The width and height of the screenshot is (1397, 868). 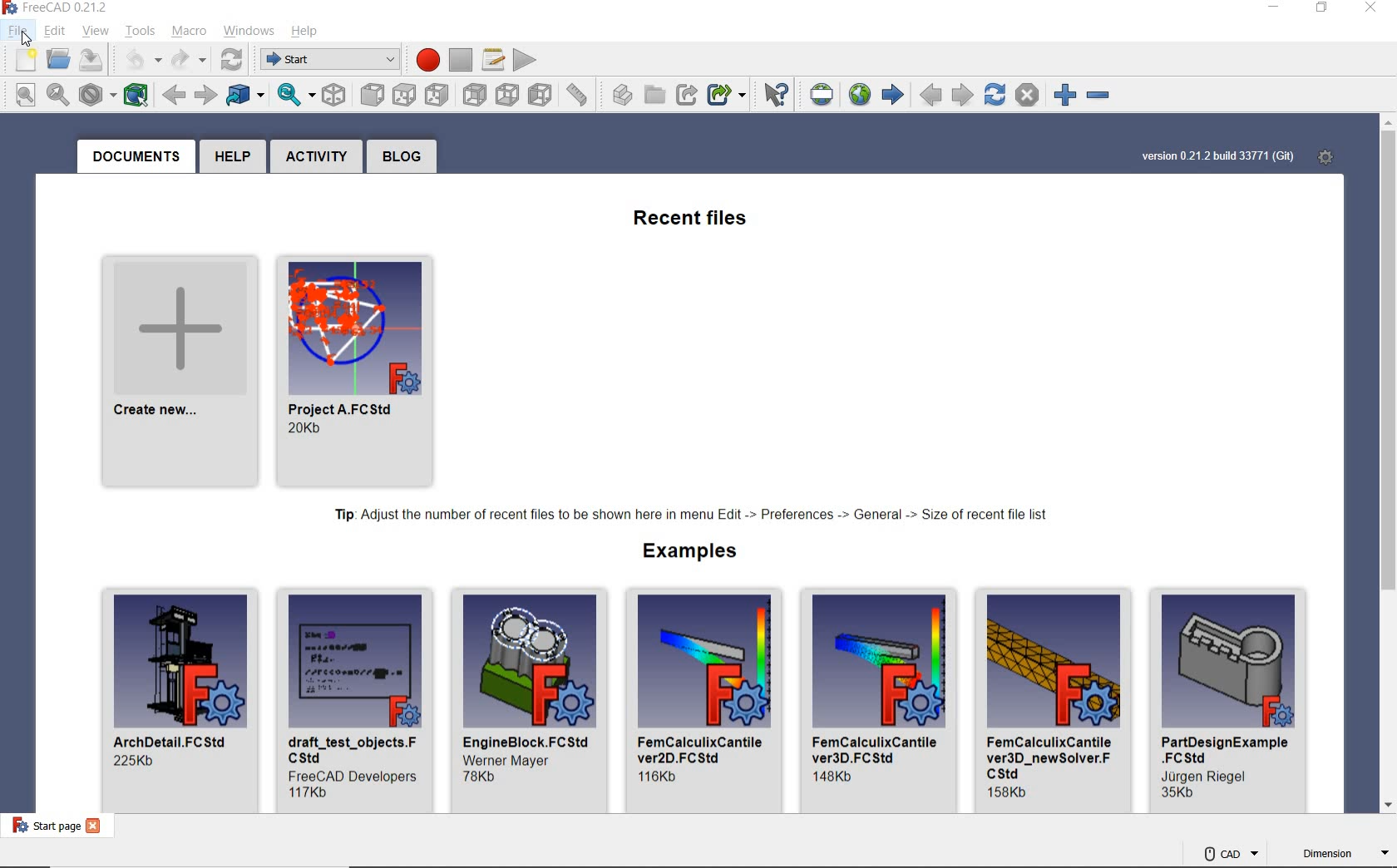 What do you see at coordinates (660, 777) in the screenshot?
I see `size` at bounding box center [660, 777].